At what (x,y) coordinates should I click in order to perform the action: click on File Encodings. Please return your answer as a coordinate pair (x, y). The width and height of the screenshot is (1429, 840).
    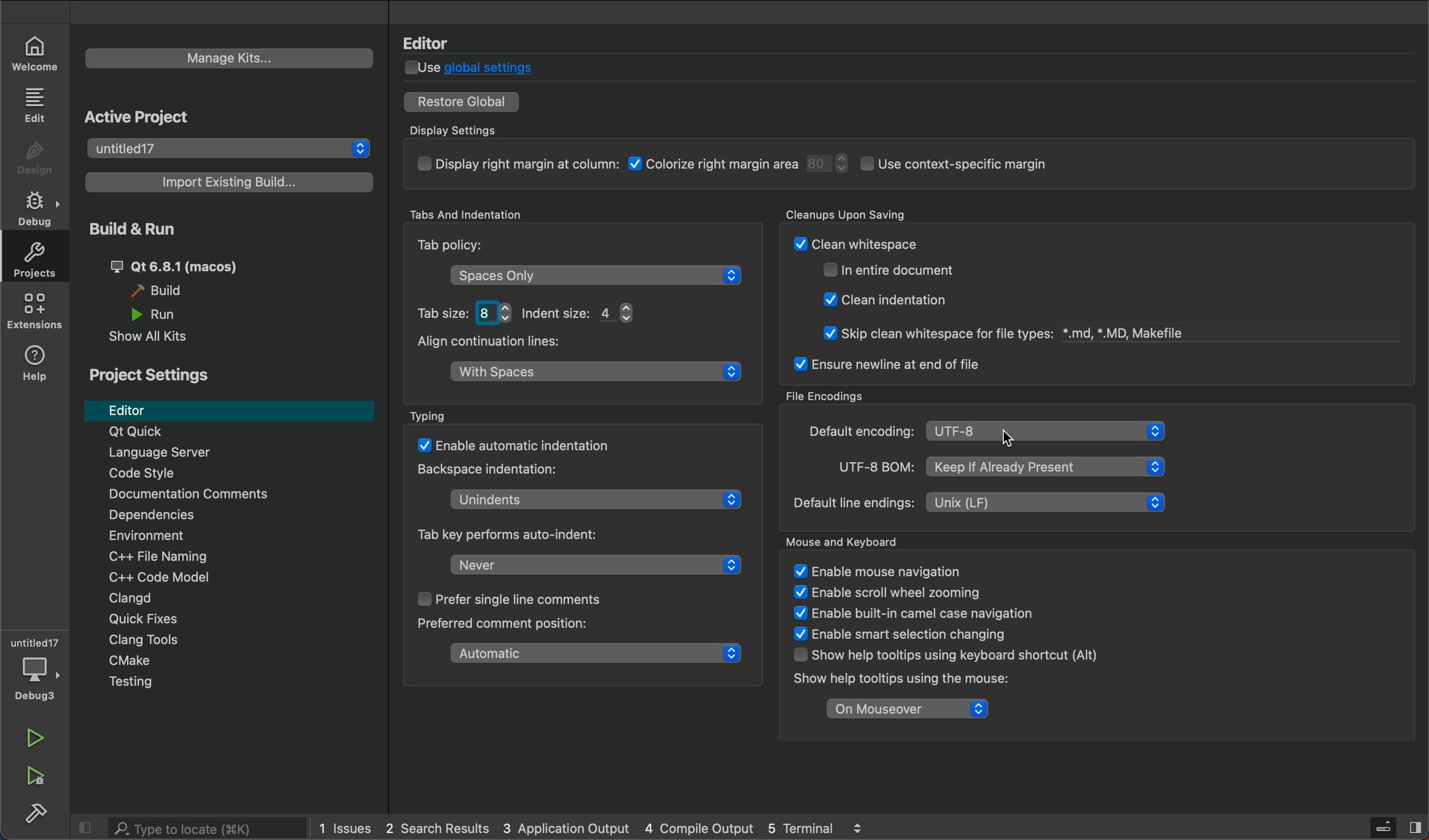
    Looking at the image, I should click on (829, 397).